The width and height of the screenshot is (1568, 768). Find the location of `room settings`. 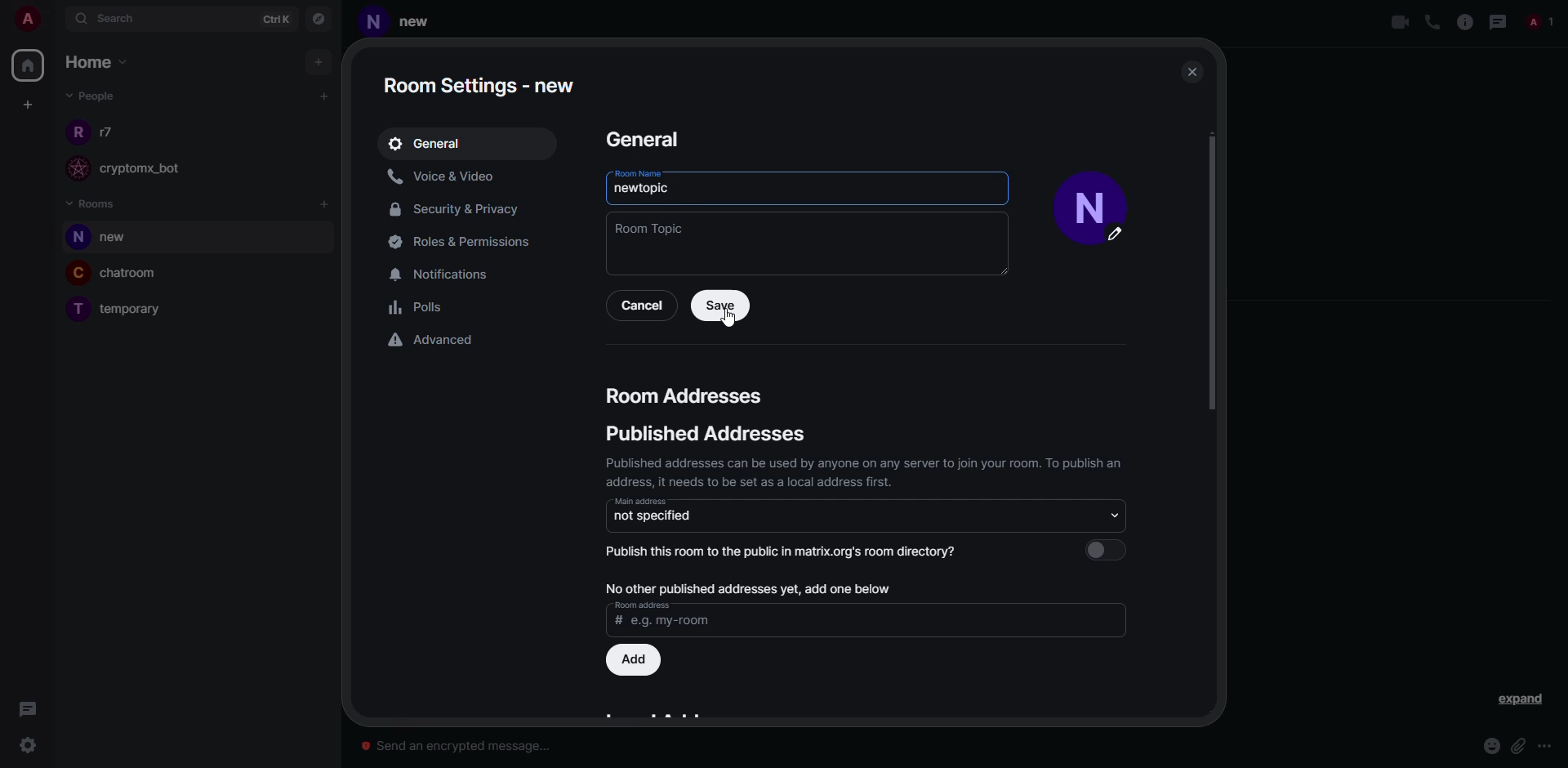

room settings is located at coordinates (483, 81).